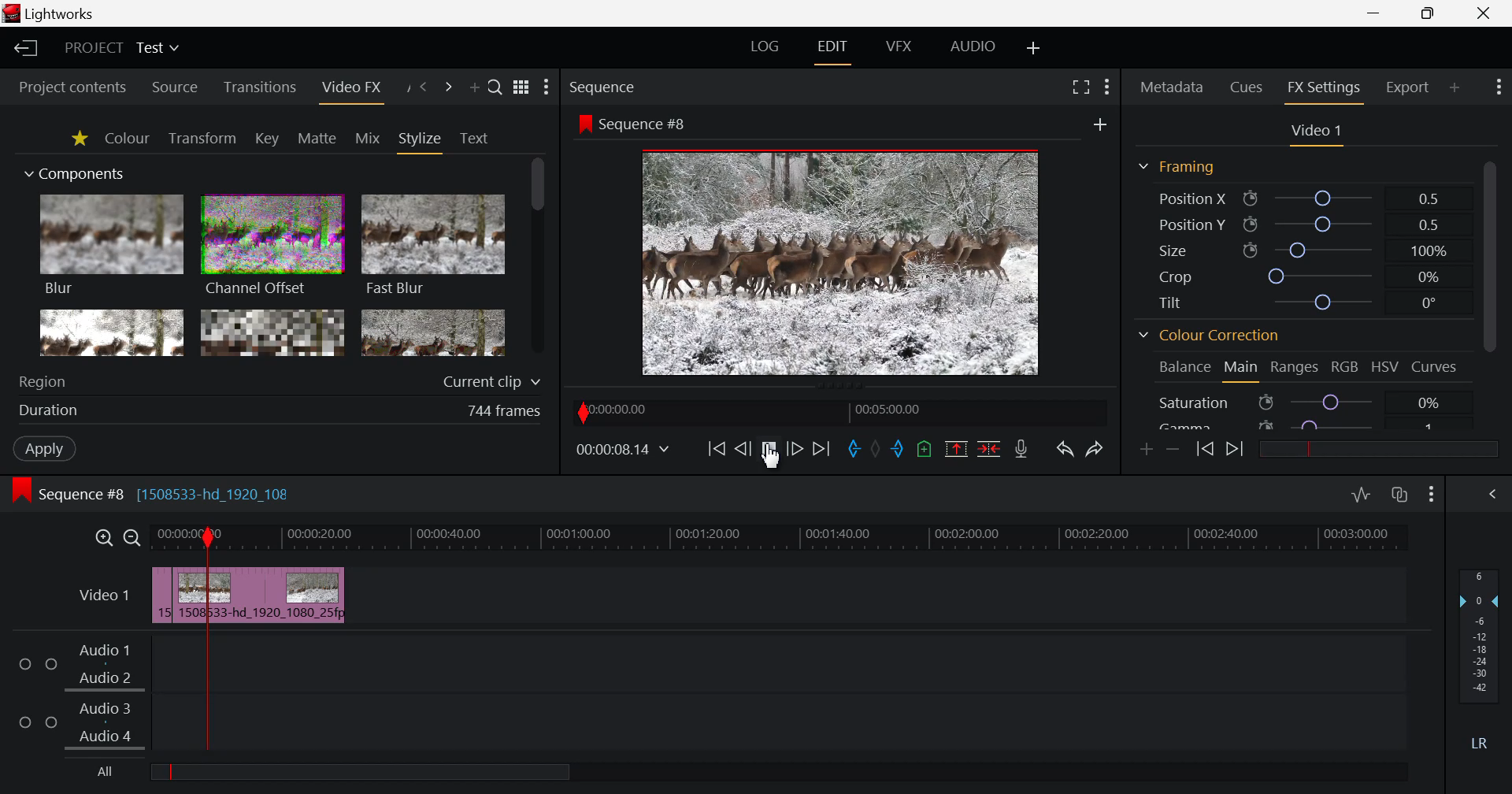 The height and width of the screenshot is (794, 1512). I want to click on Sequence, so click(632, 86).